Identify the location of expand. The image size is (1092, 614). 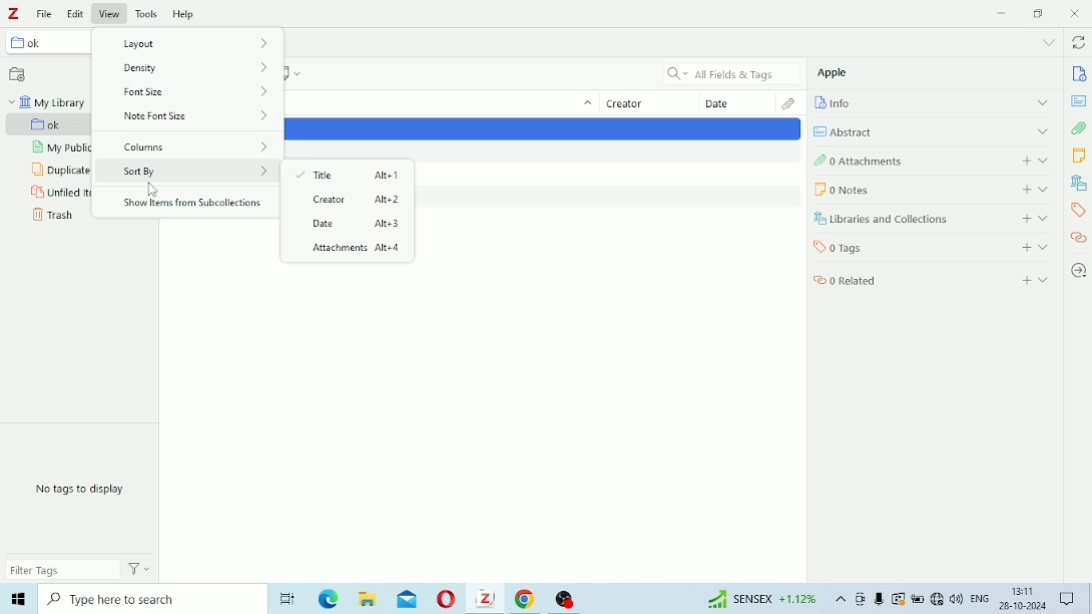
(1048, 282).